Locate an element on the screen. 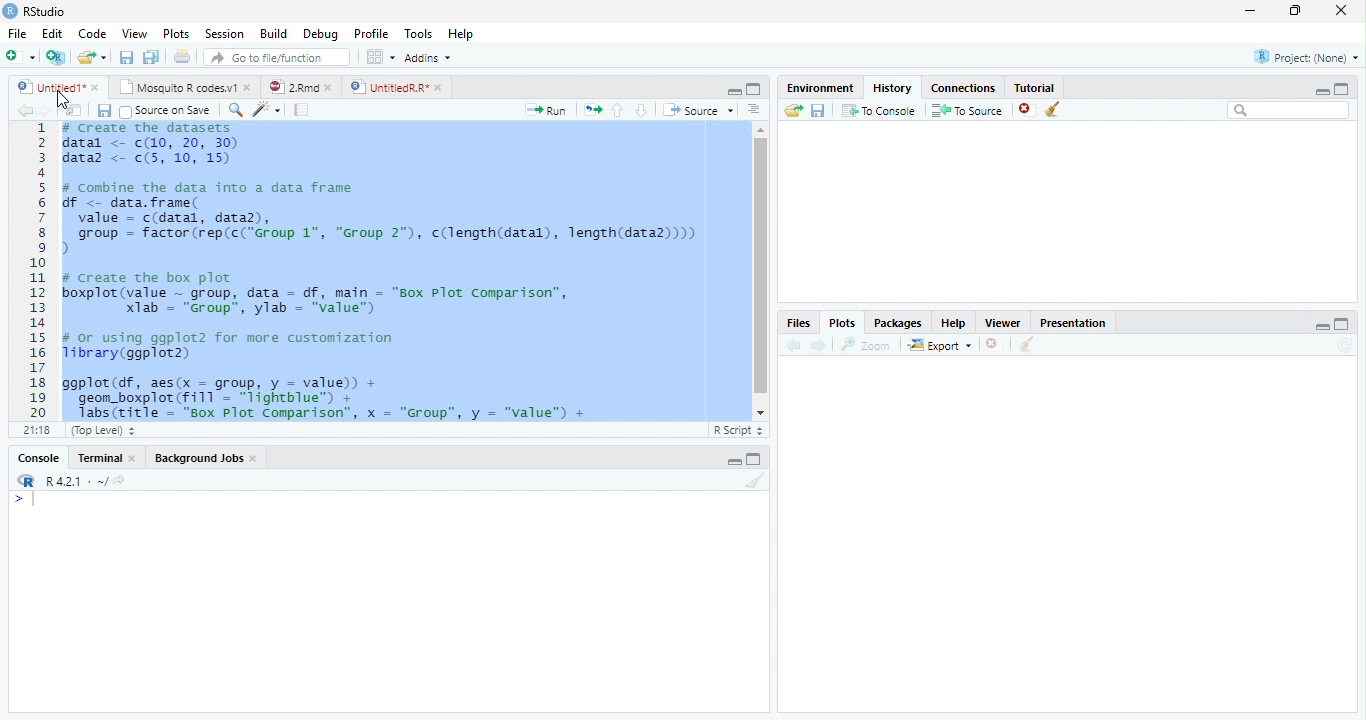 Image resolution: width=1366 pixels, height=720 pixels. History is located at coordinates (893, 88).